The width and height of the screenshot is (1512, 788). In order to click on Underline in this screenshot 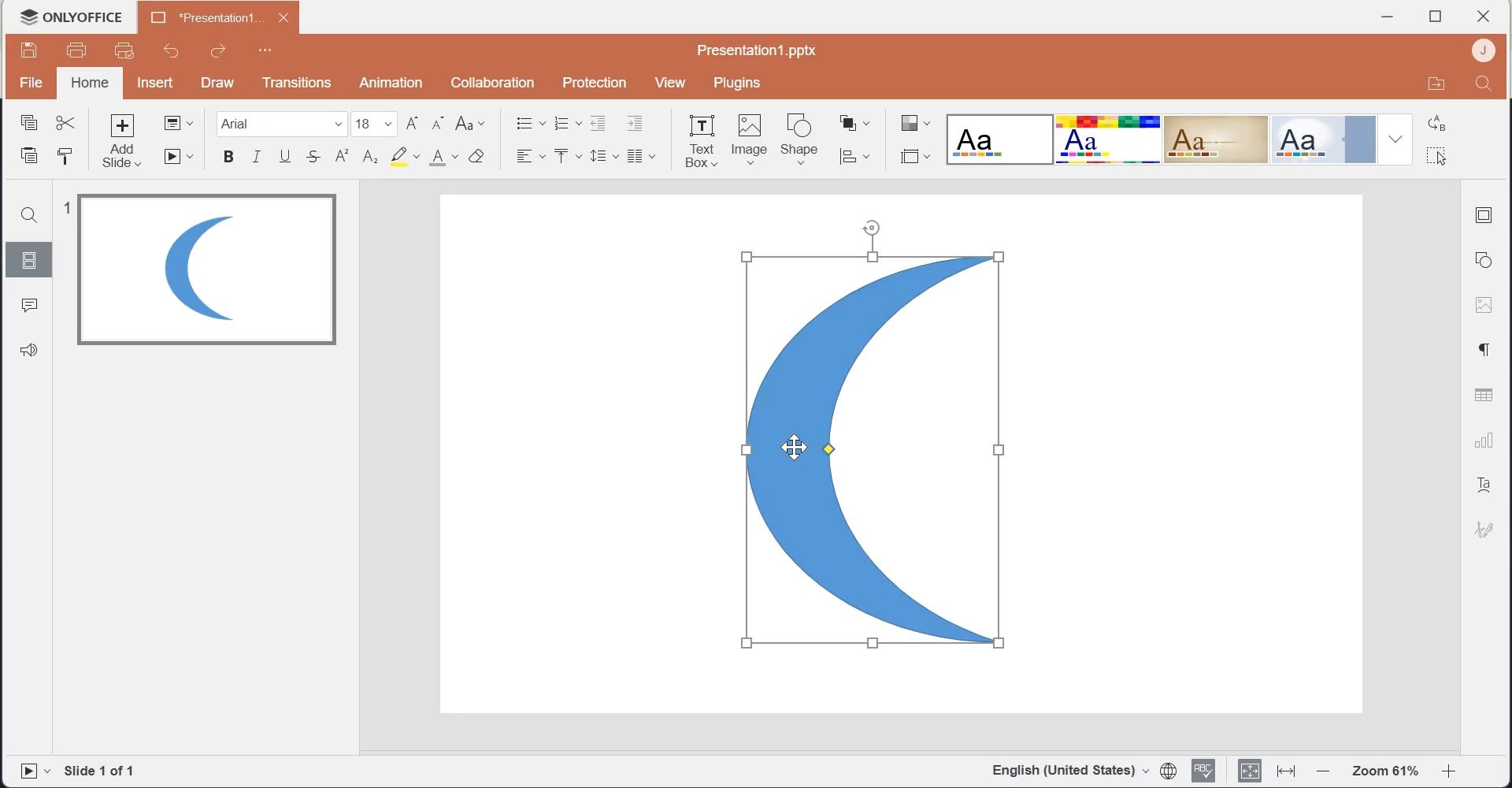, I will do `click(288, 156)`.